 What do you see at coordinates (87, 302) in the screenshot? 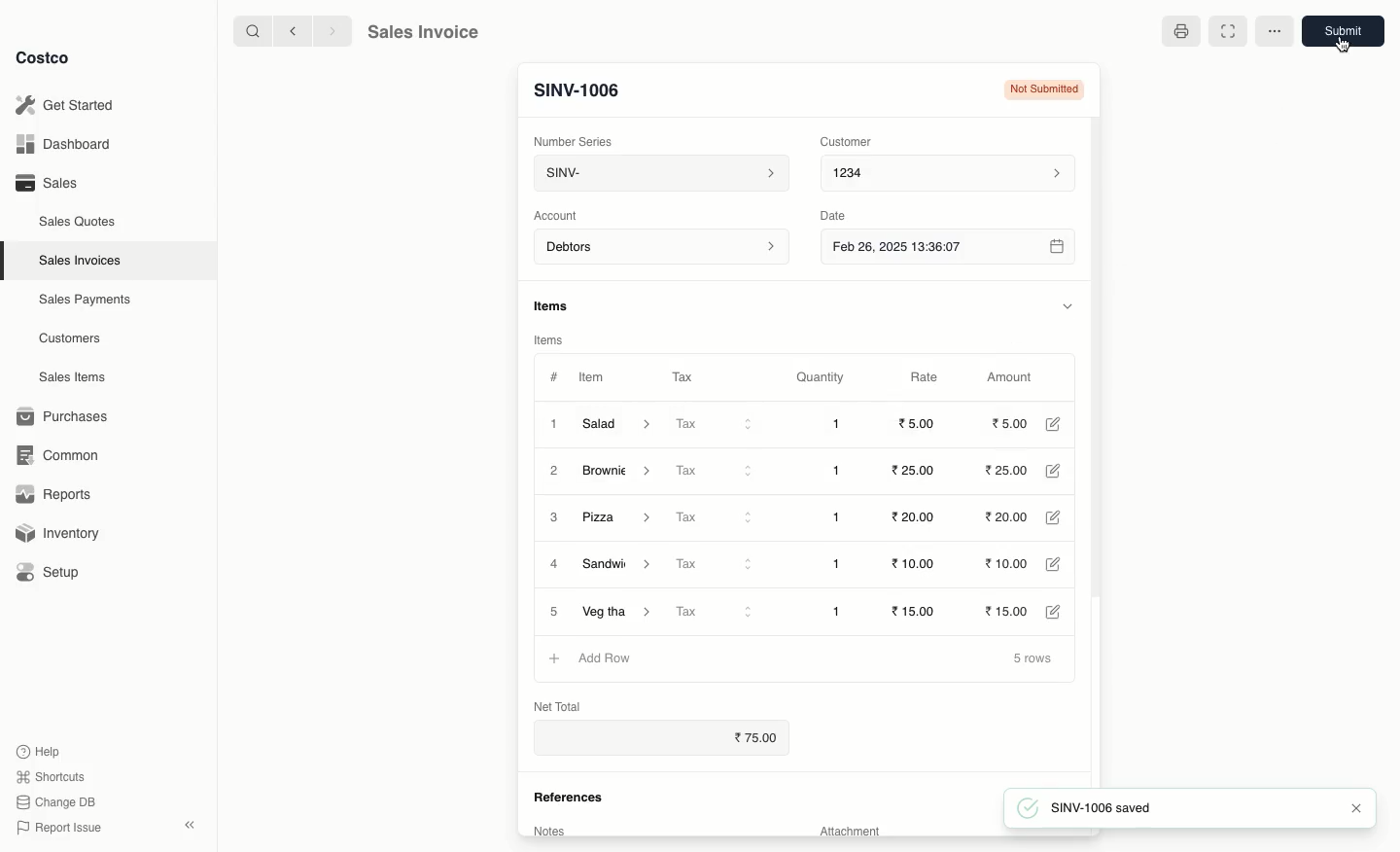
I see `Sales Payments.` at bounding box center [87, 302].